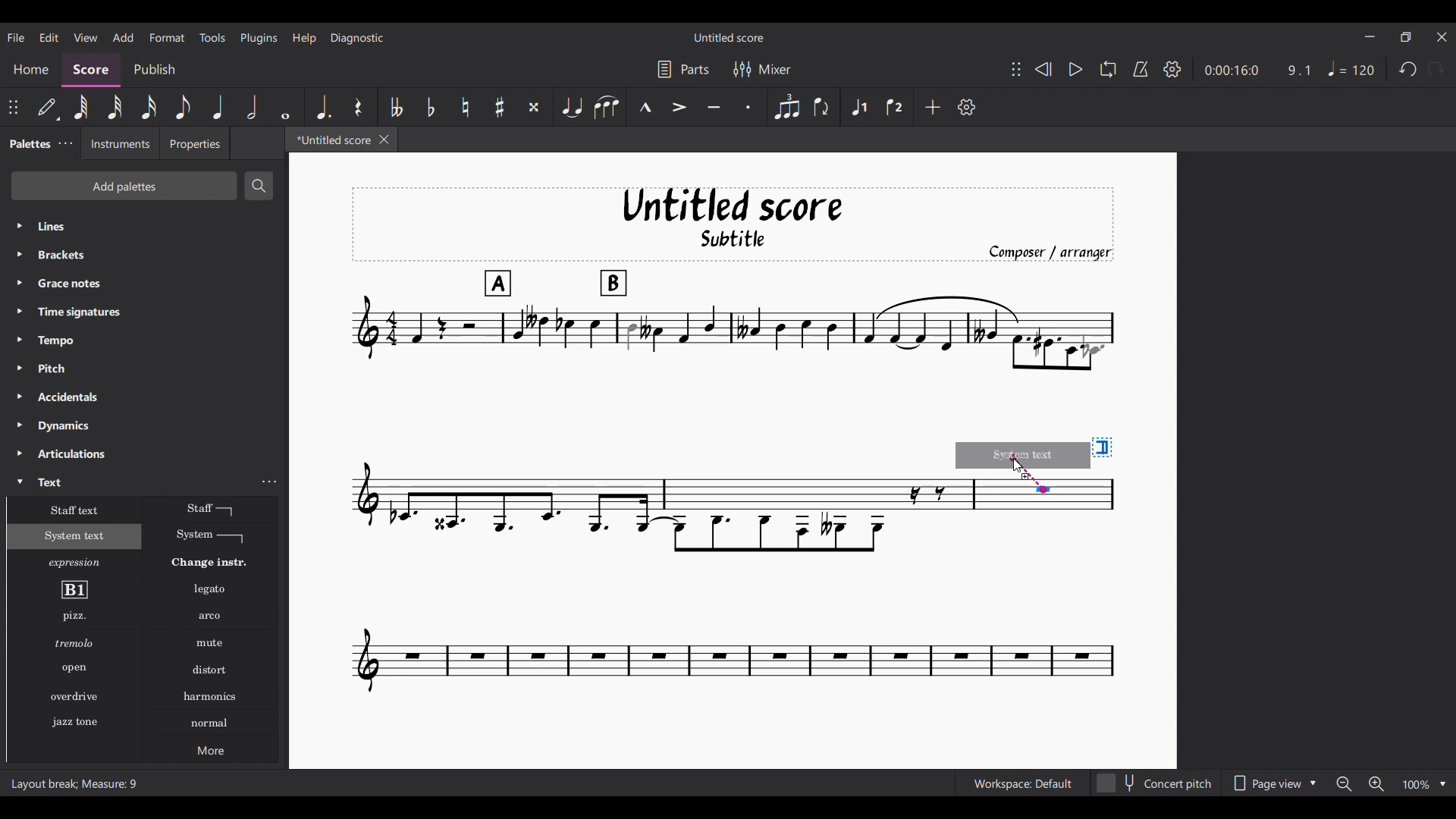 This screenshot has height=819, width=1456. Describe the element at coordinates (1075, 69) in the screenshot. I see `Play` at that location.